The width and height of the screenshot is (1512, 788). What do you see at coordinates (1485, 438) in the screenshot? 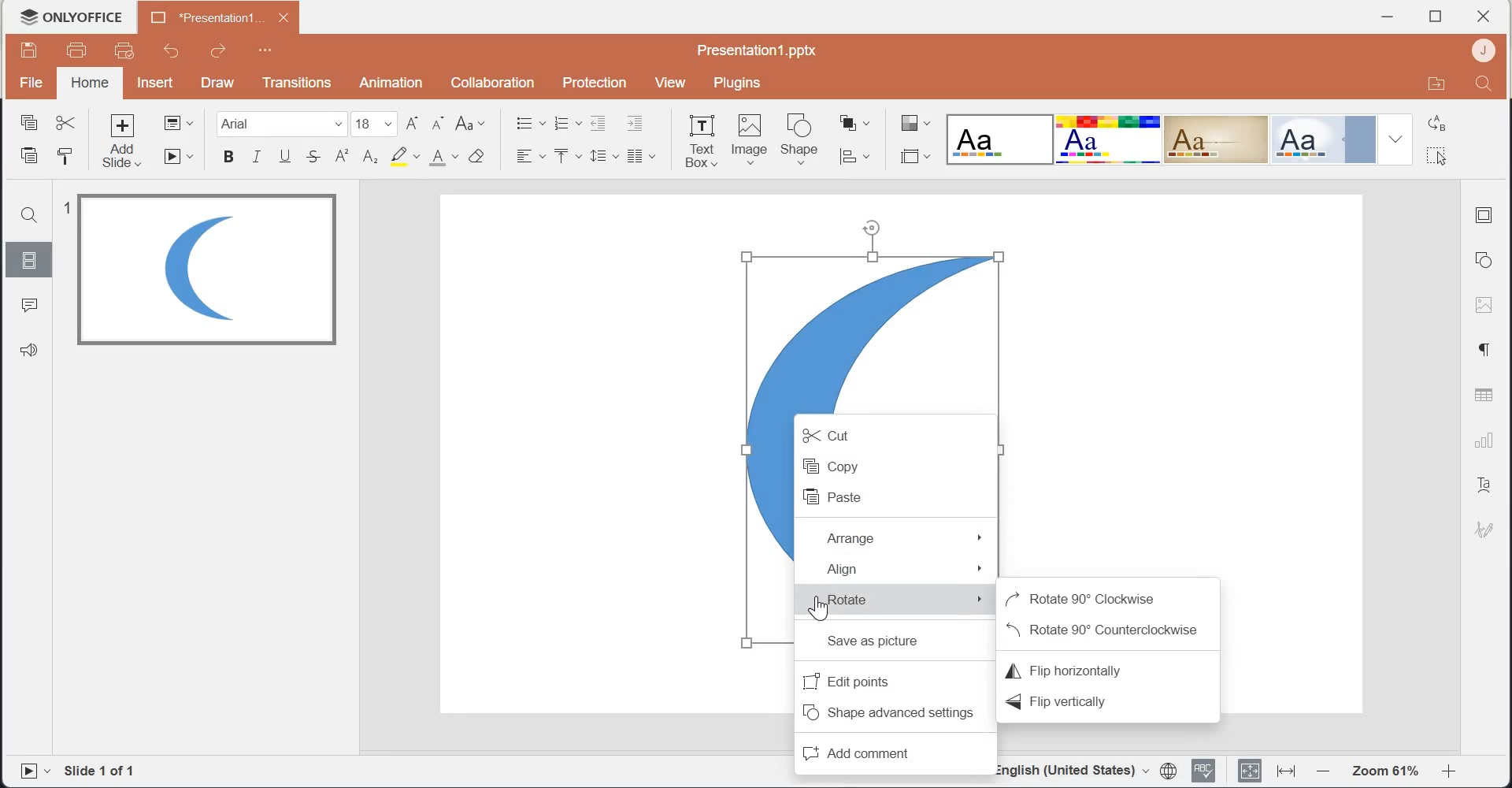
I see `Charts` at bounding box center [1485, 438].